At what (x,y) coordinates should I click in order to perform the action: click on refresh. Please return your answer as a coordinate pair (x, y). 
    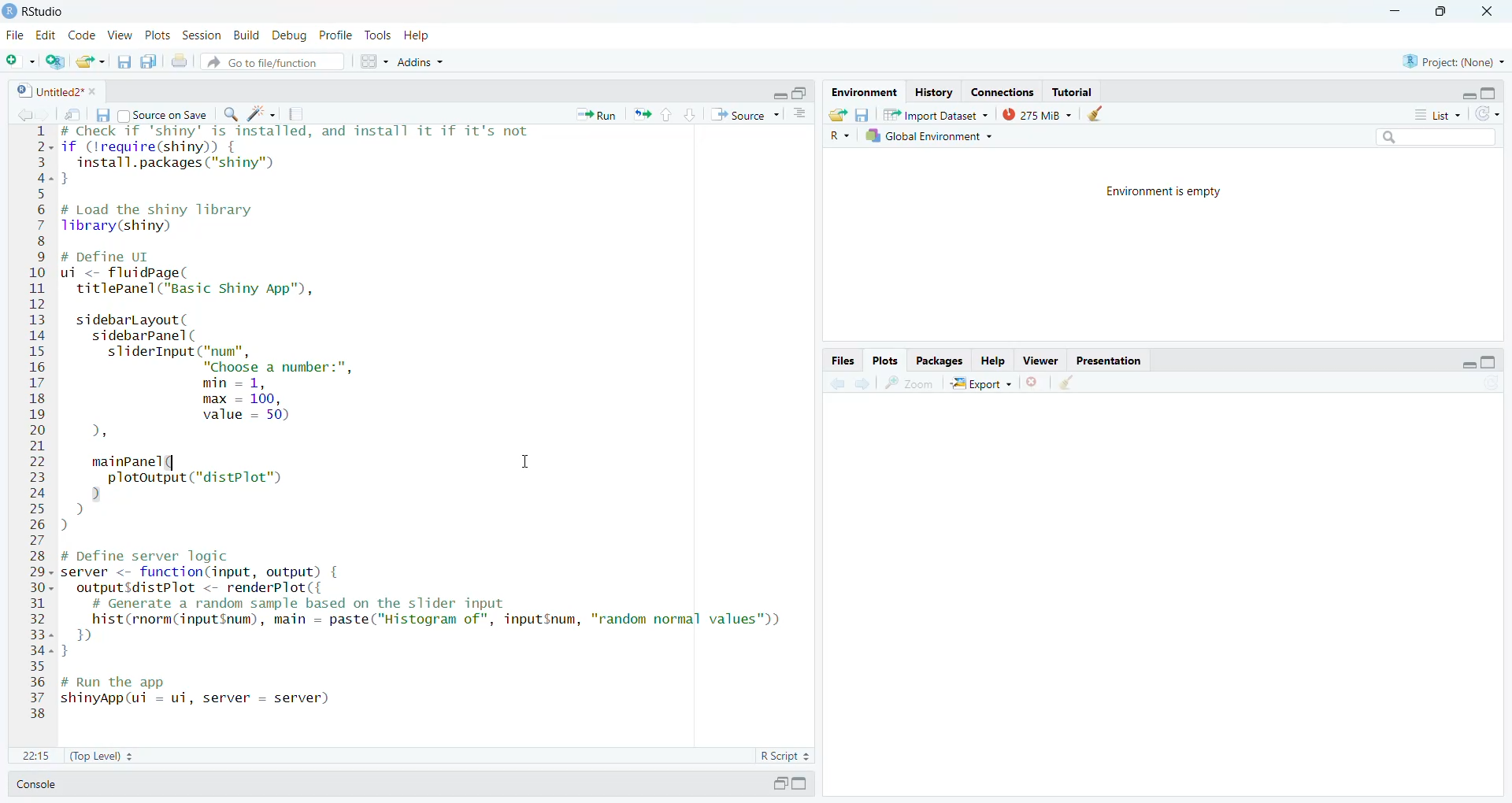
    Looking at the image, I should click on (1492, 383).